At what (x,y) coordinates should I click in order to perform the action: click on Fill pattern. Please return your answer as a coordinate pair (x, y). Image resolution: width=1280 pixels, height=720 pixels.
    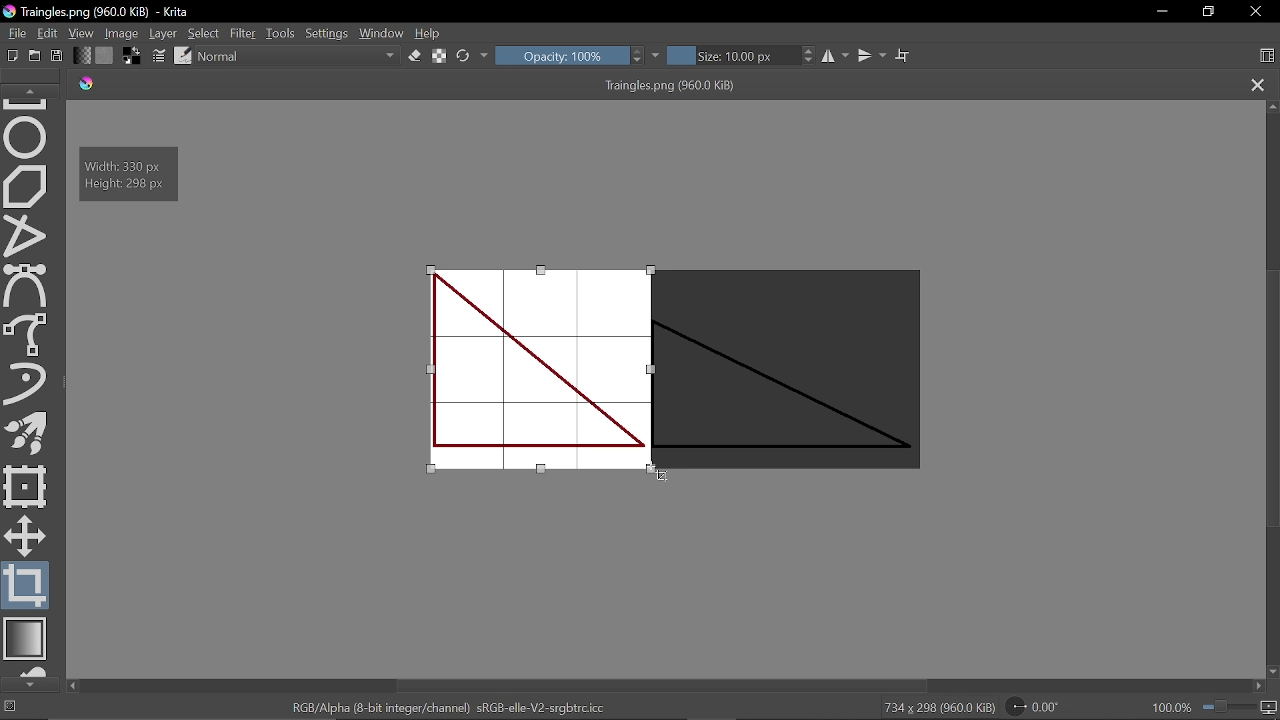
    Looking at the image, I should click on (105, 56).